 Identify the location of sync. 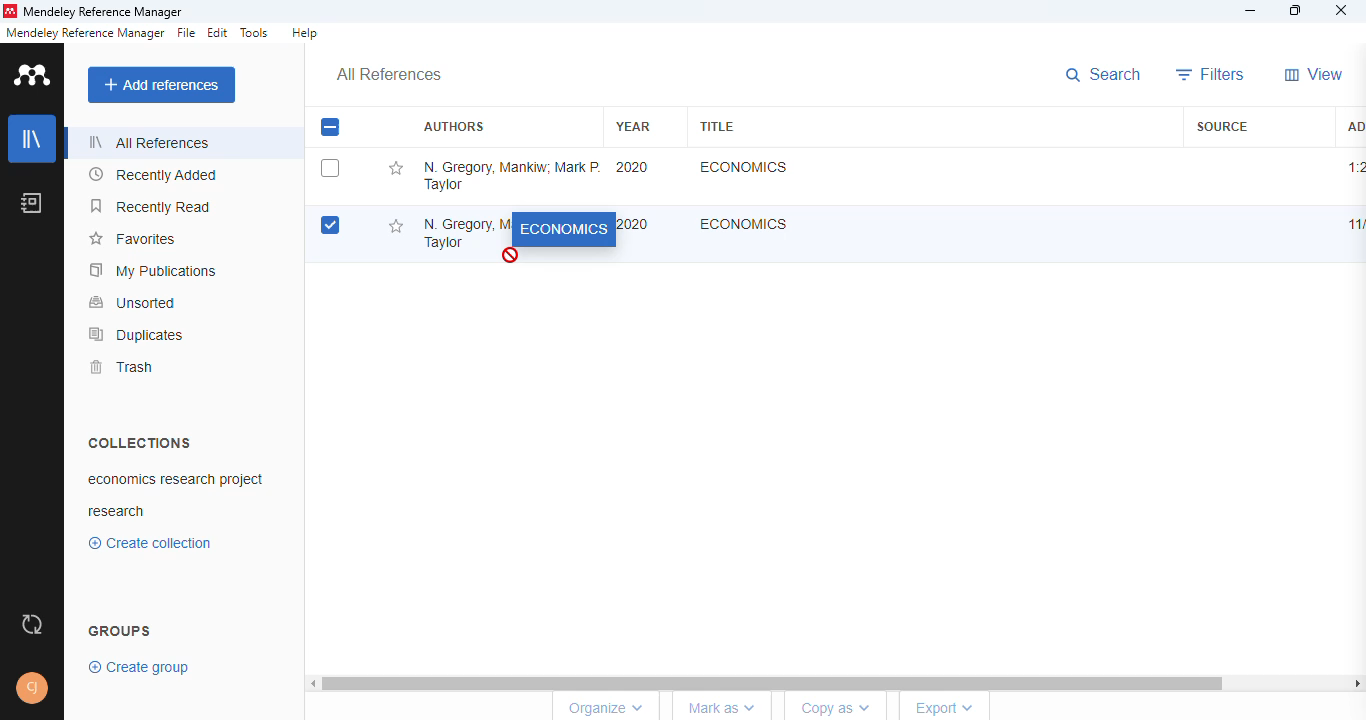
(33, 624).